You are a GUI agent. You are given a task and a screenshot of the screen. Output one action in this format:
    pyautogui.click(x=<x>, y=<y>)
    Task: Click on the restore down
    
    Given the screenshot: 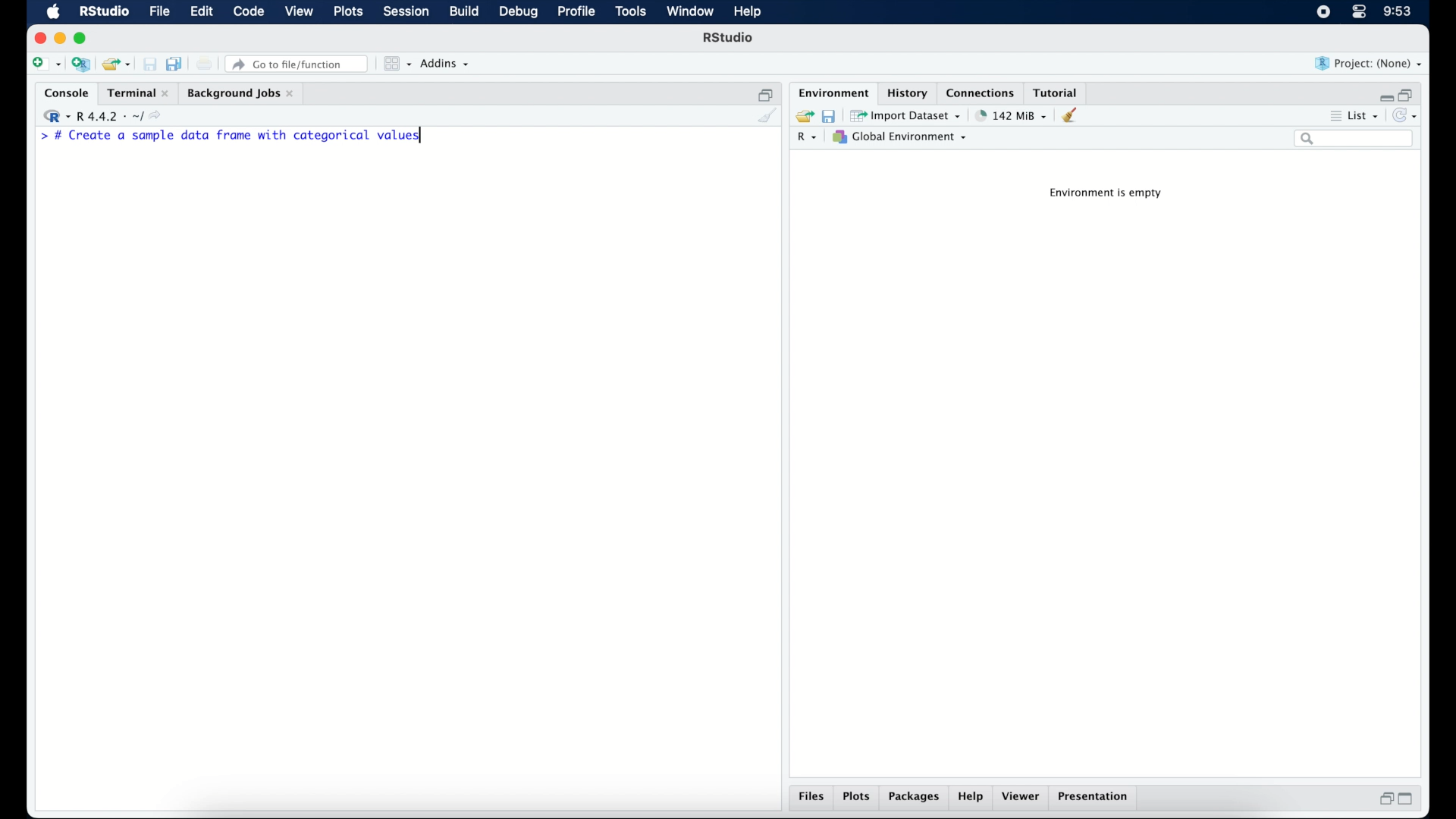 What is the action you would take?
    pyautogui.click(x=1410, y=93)
    